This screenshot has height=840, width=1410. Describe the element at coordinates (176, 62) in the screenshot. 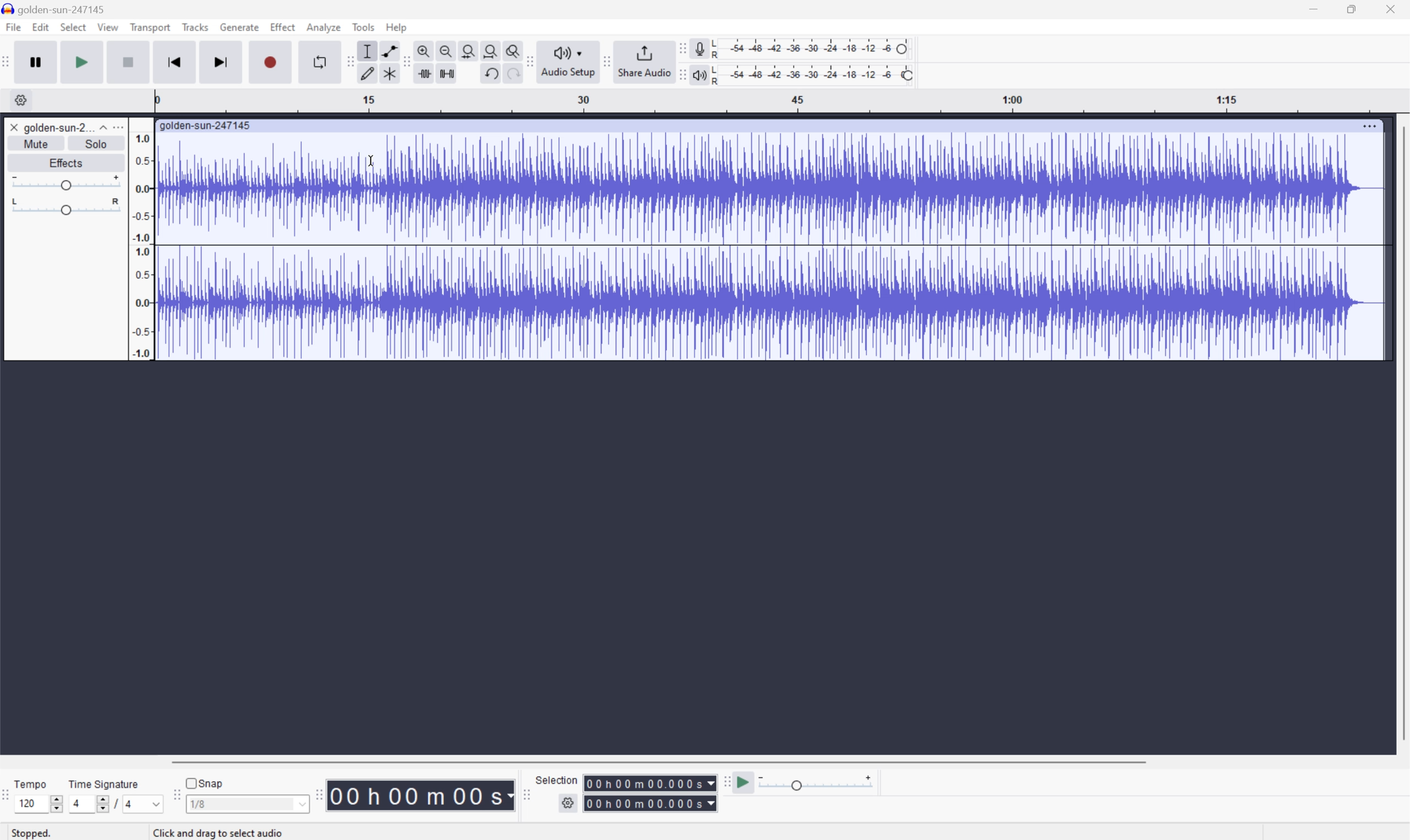

I see `Skip to start` at that location.